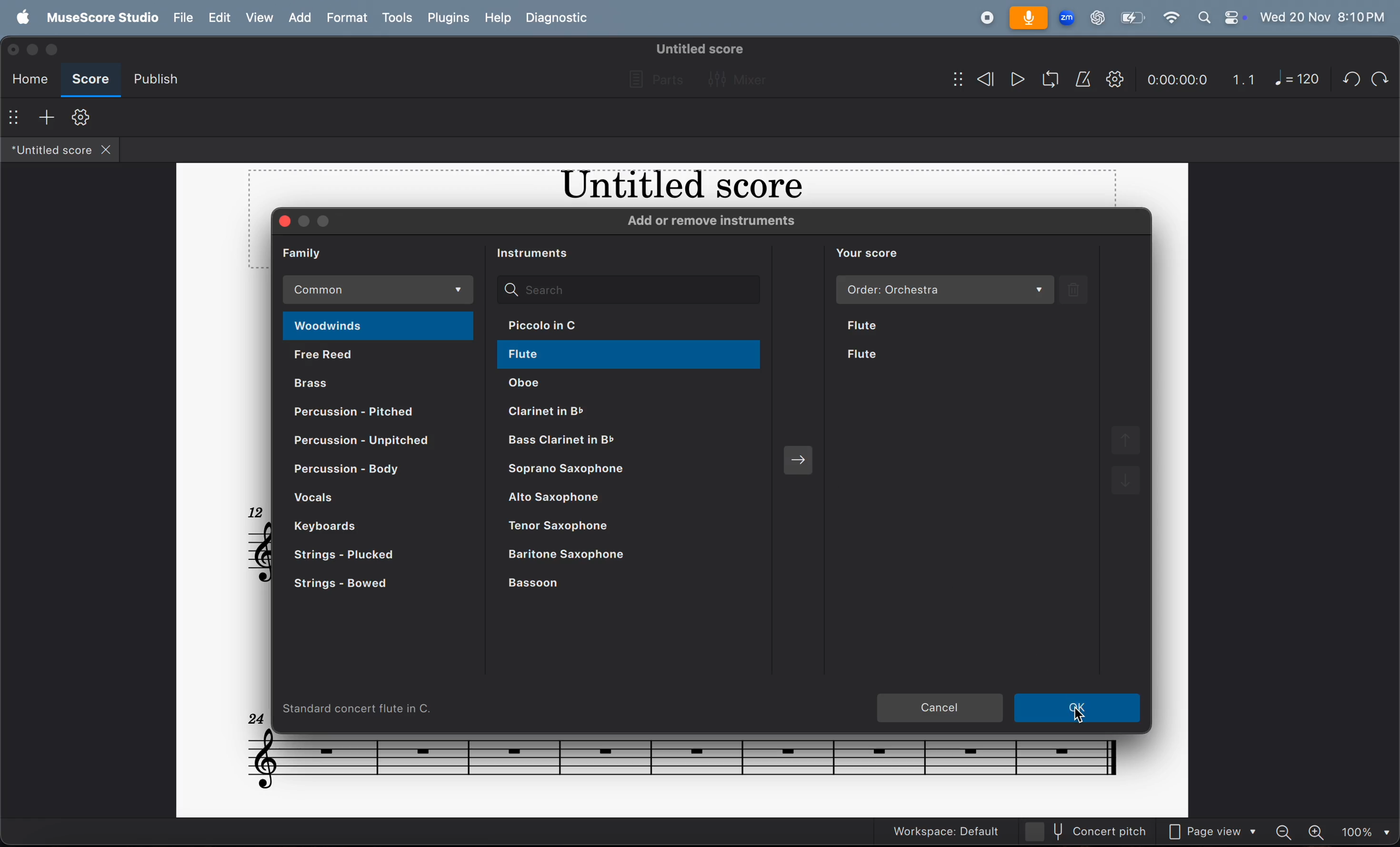 The image size is (1400, 847). I want to click on parts, so click(652, 77).